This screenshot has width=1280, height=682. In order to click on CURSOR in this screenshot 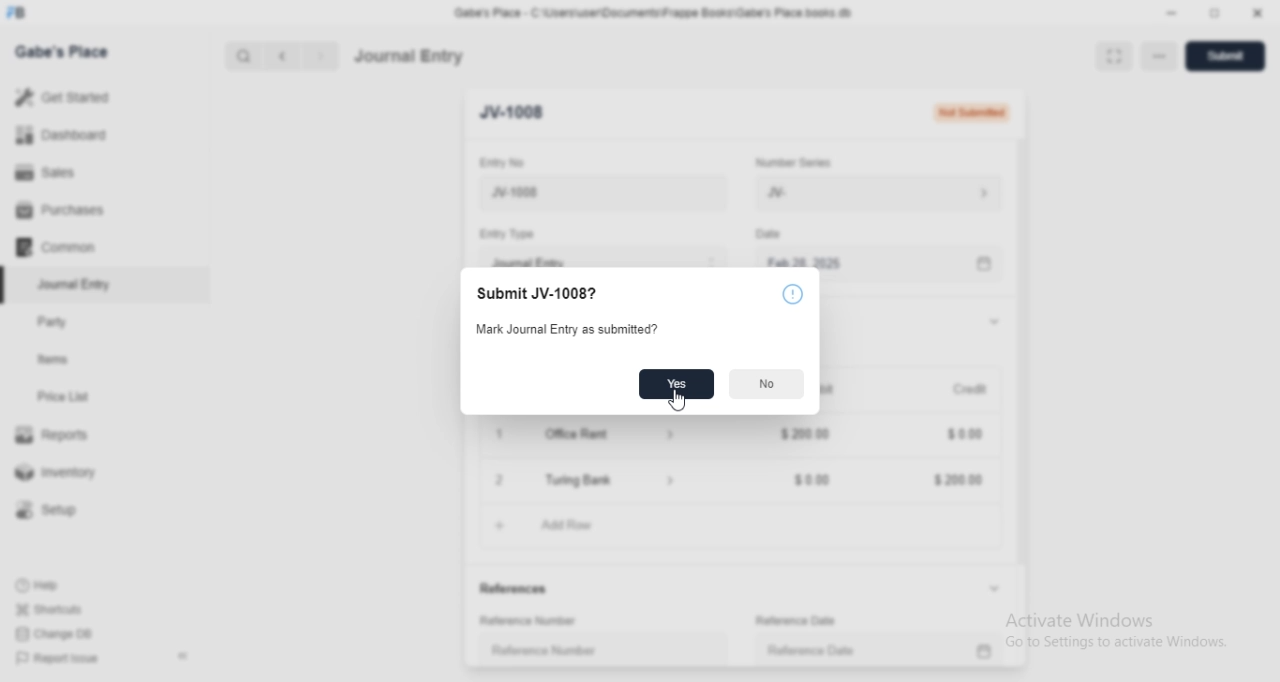, I will do `click(682, 404)`.